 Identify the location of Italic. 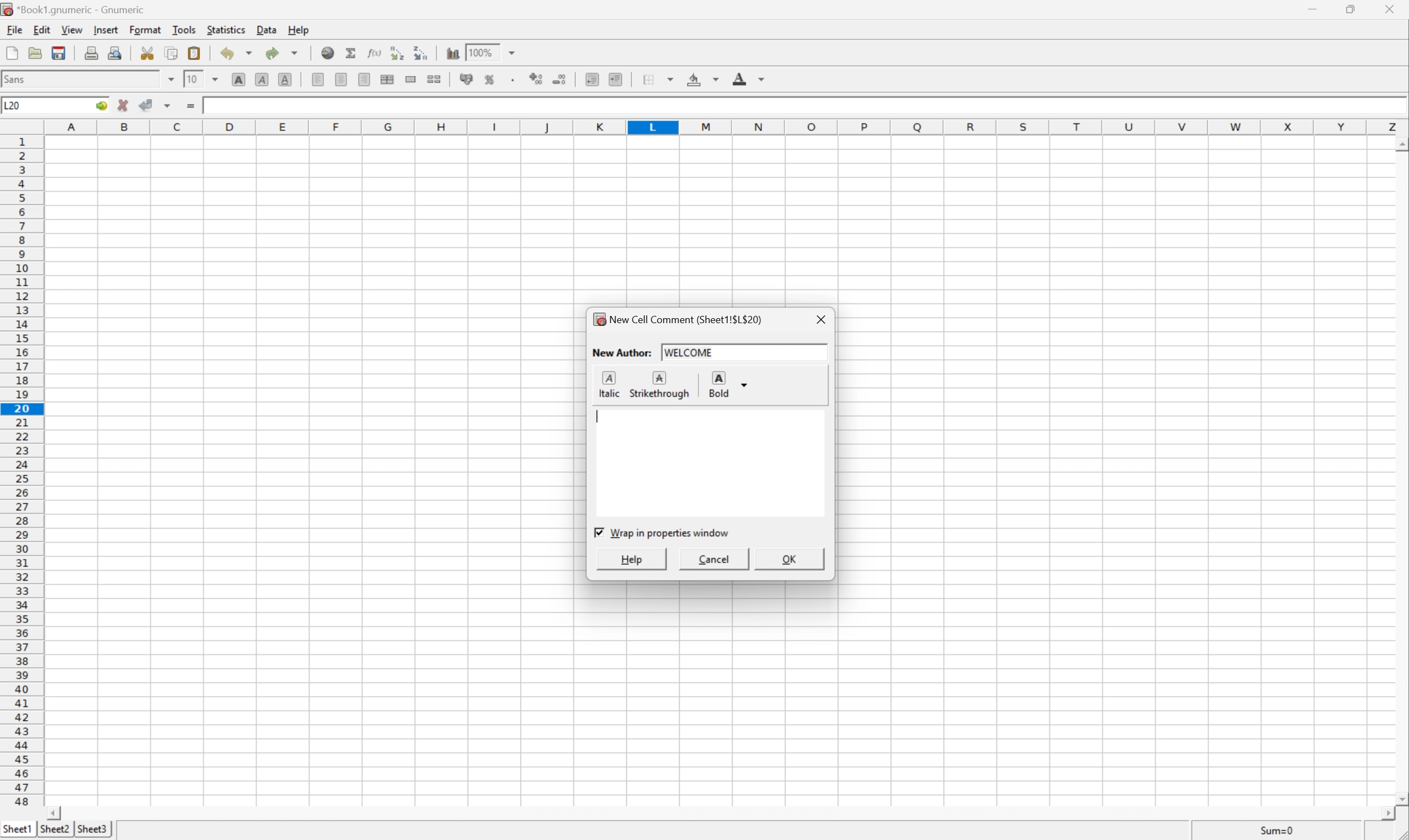
(261, 79).